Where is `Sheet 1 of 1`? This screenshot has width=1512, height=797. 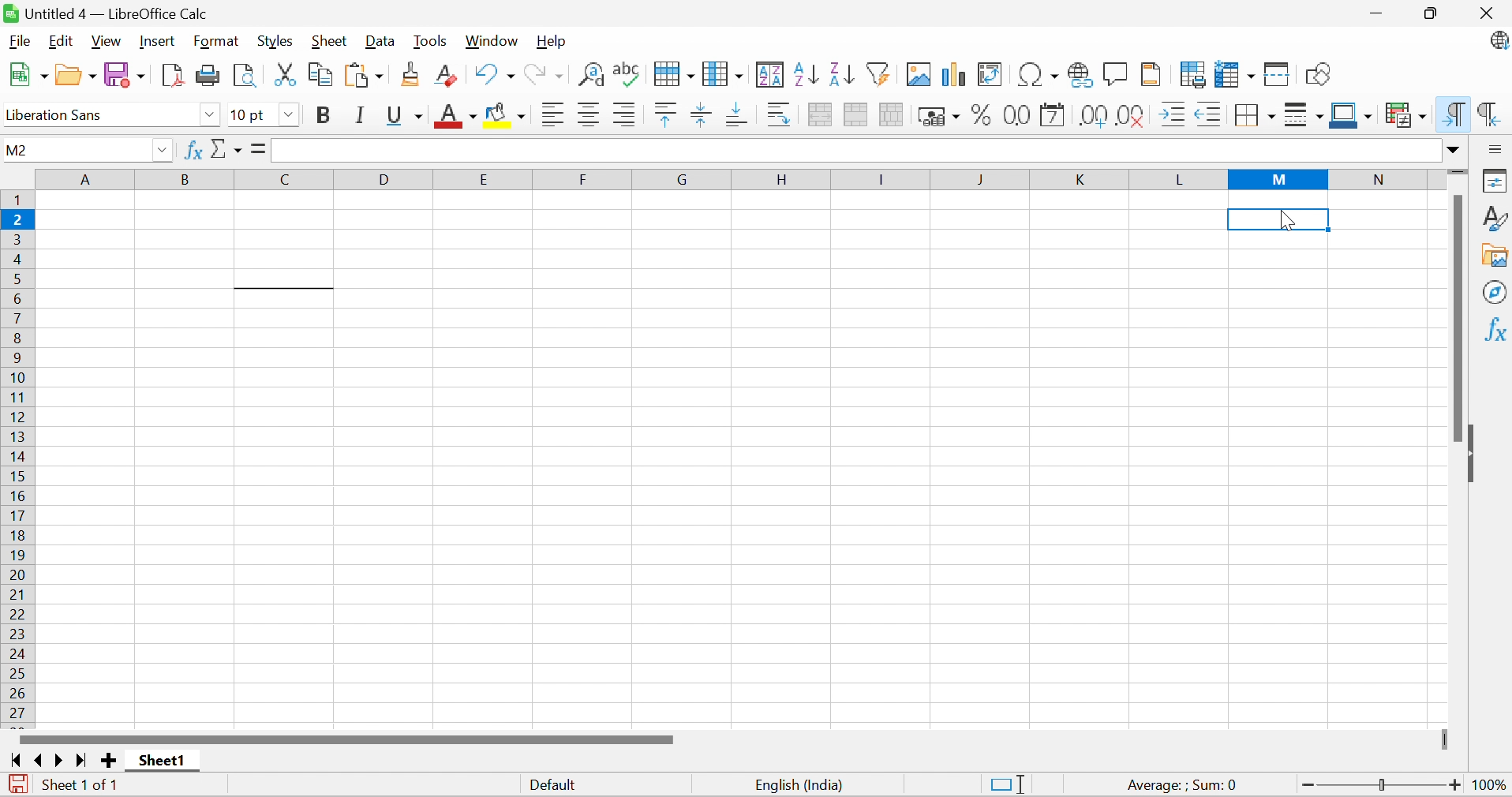 Sheet 1 of 1 is located at coordinates (80, 783).